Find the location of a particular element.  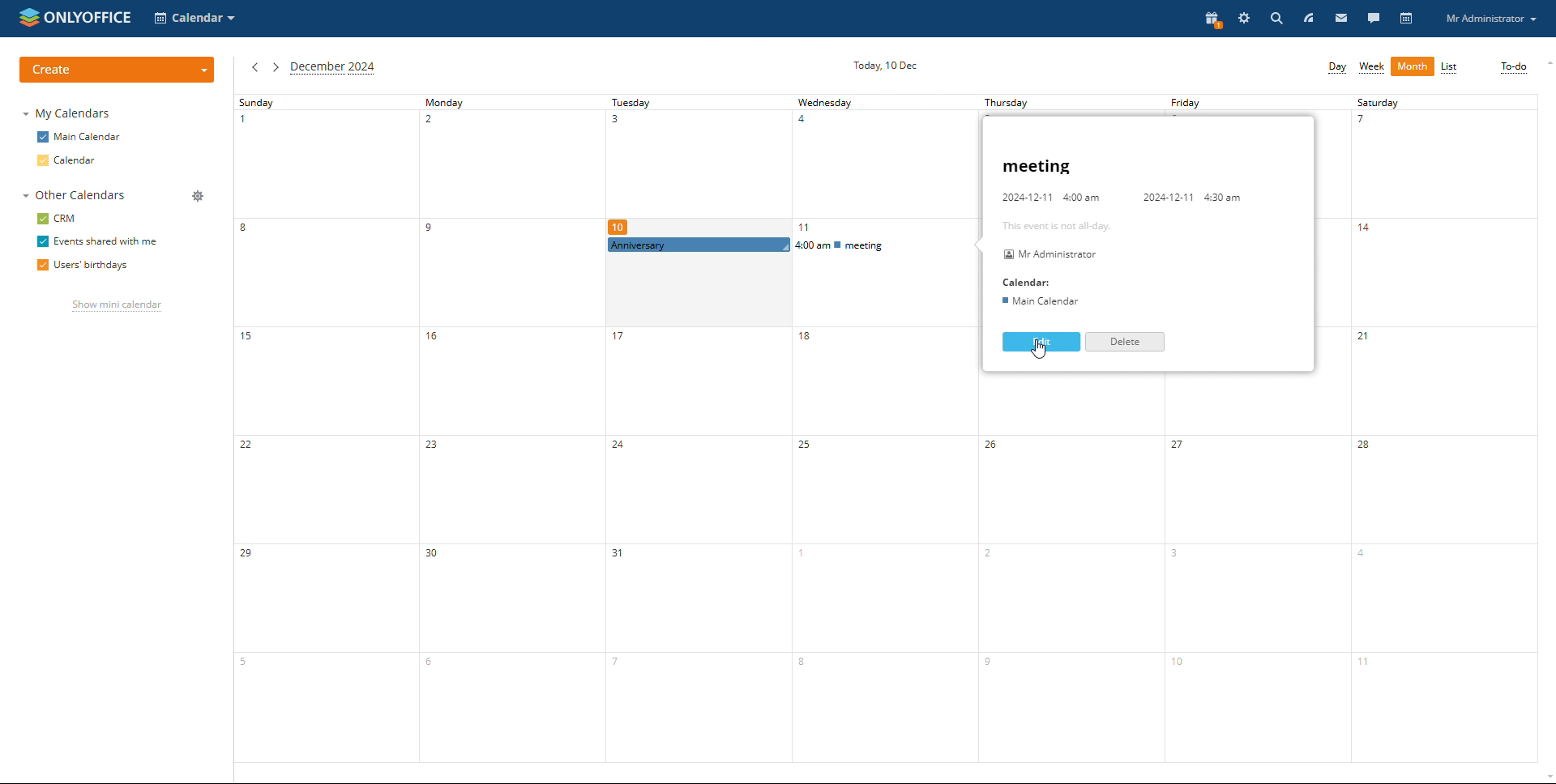

current month is located at coordinates (333, 69).